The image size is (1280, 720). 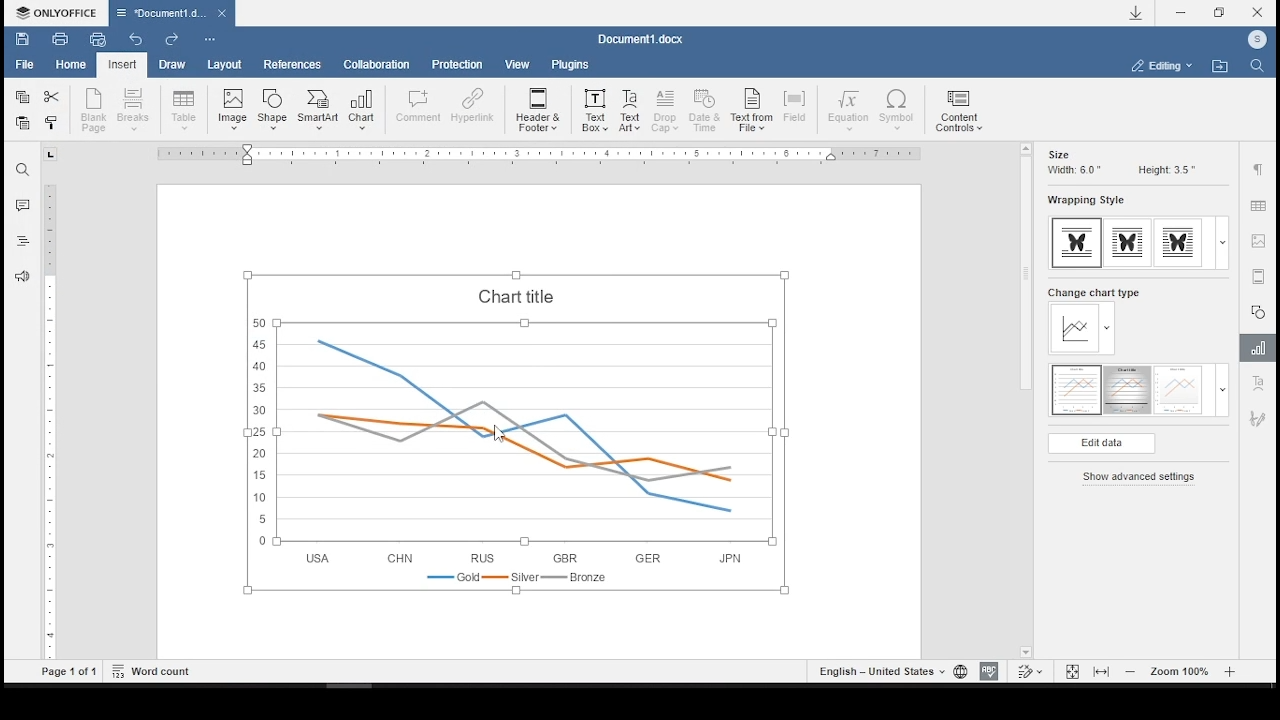 What do you see at coordinates (1058, 154) in the screenshot?
I see `size` at bounding box center [1058, 154].